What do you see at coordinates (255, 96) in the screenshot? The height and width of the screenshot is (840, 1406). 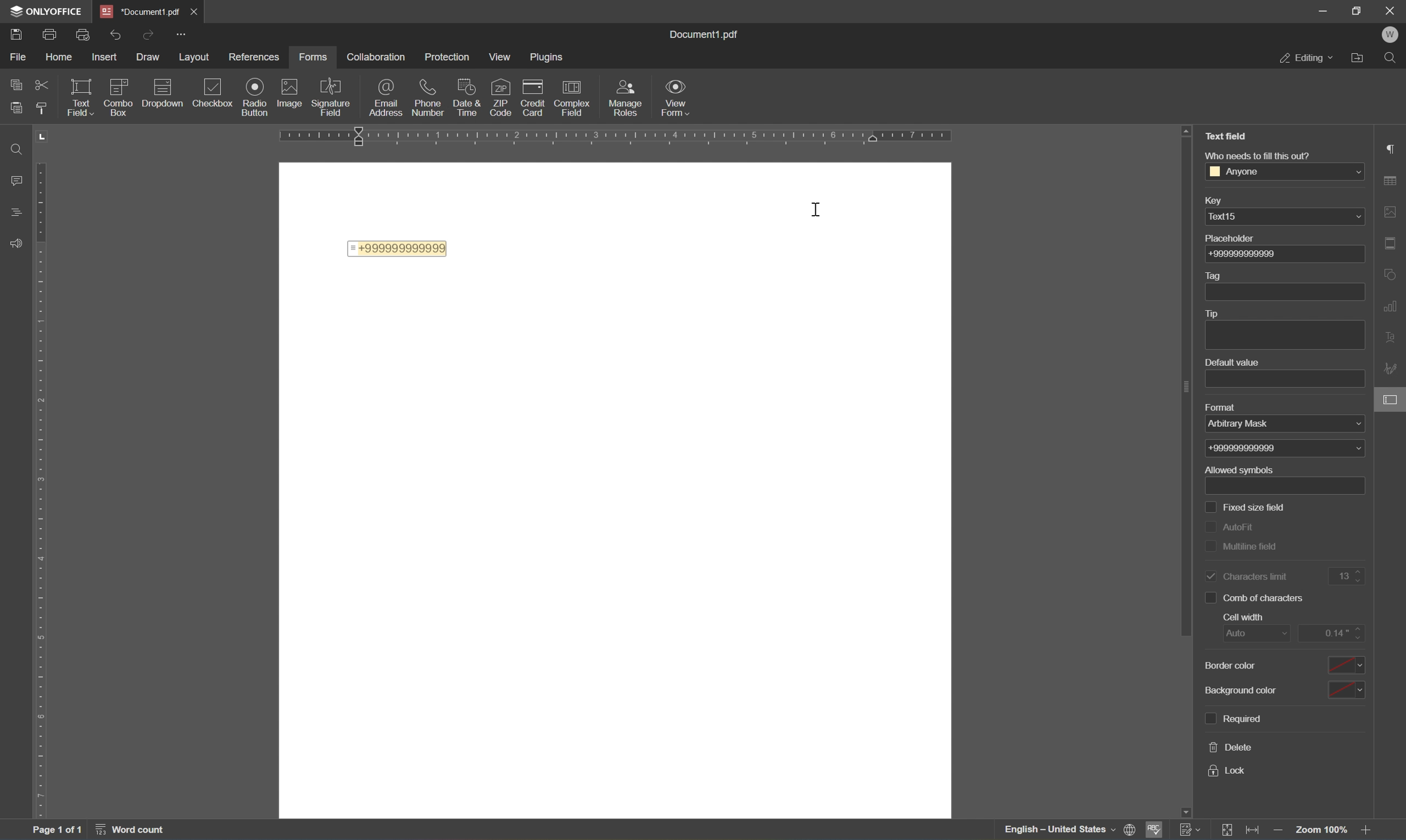 I see `radio button` at bounding box center [255, 96].